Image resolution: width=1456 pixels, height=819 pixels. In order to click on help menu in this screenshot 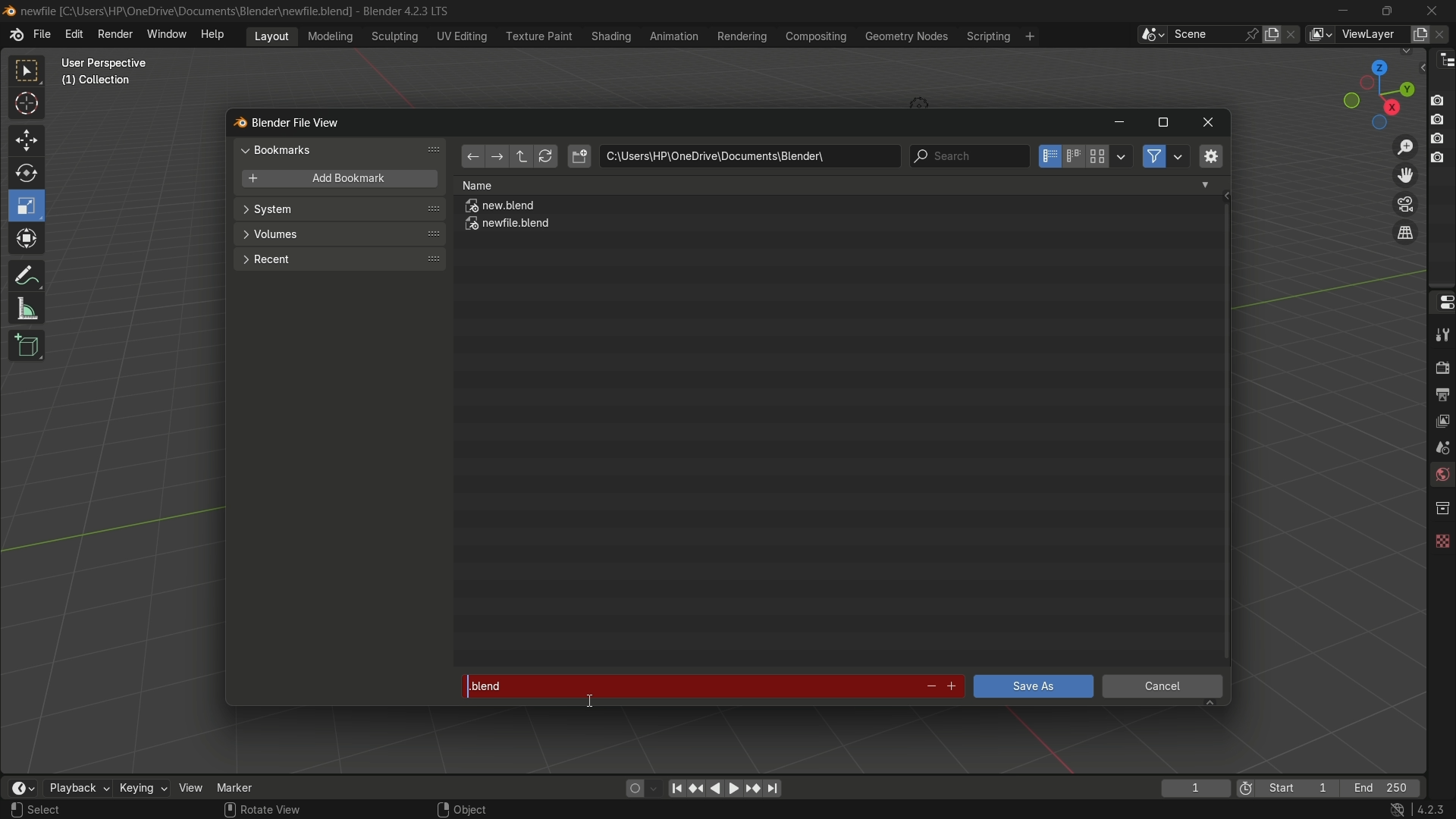, I will do `click(216, 34)`.